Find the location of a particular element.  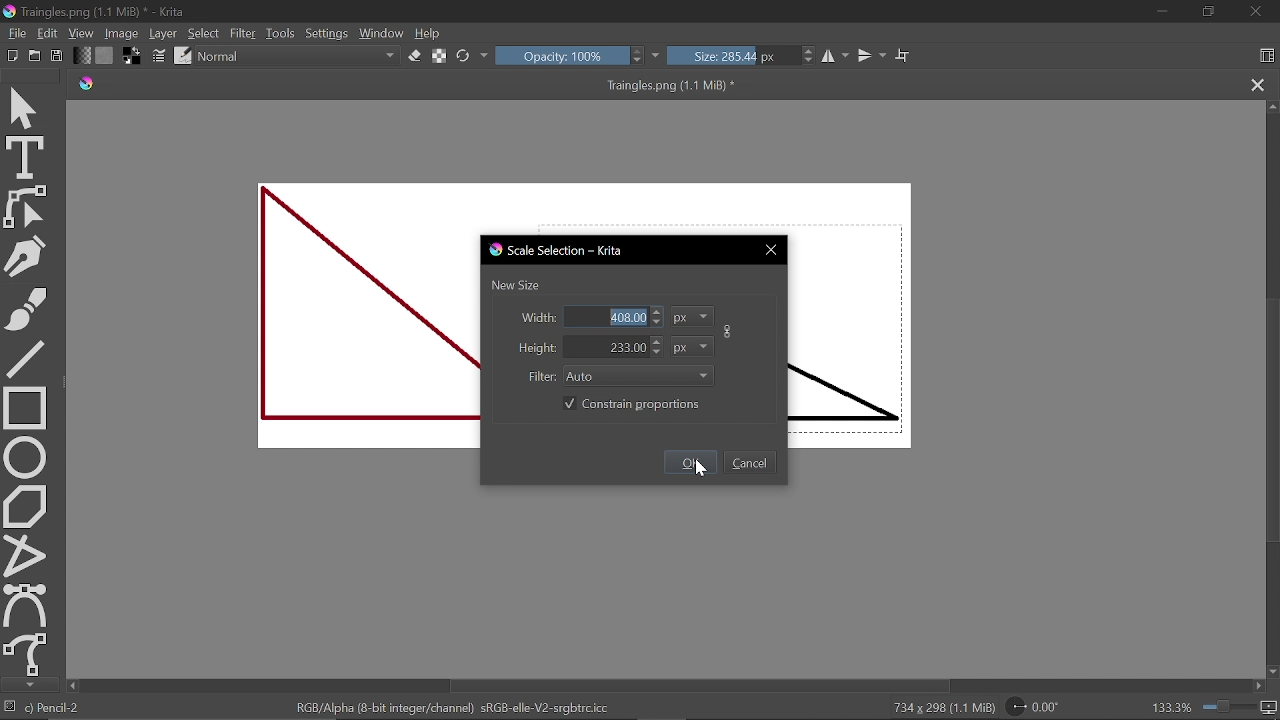

rectangle tool is located at coordinates (26, 406).